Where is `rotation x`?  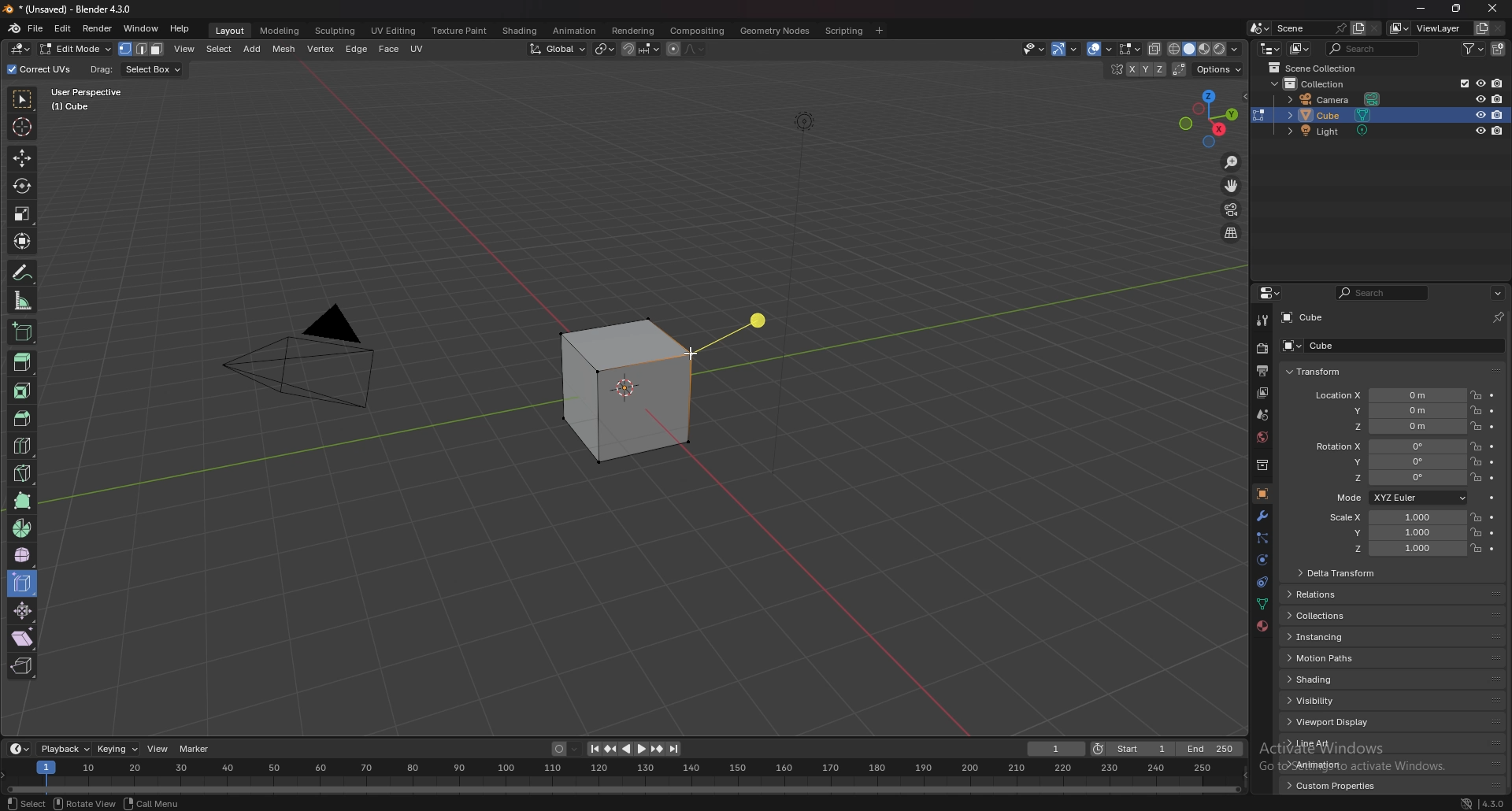 rotation x is located at coordinates (1388, 447).